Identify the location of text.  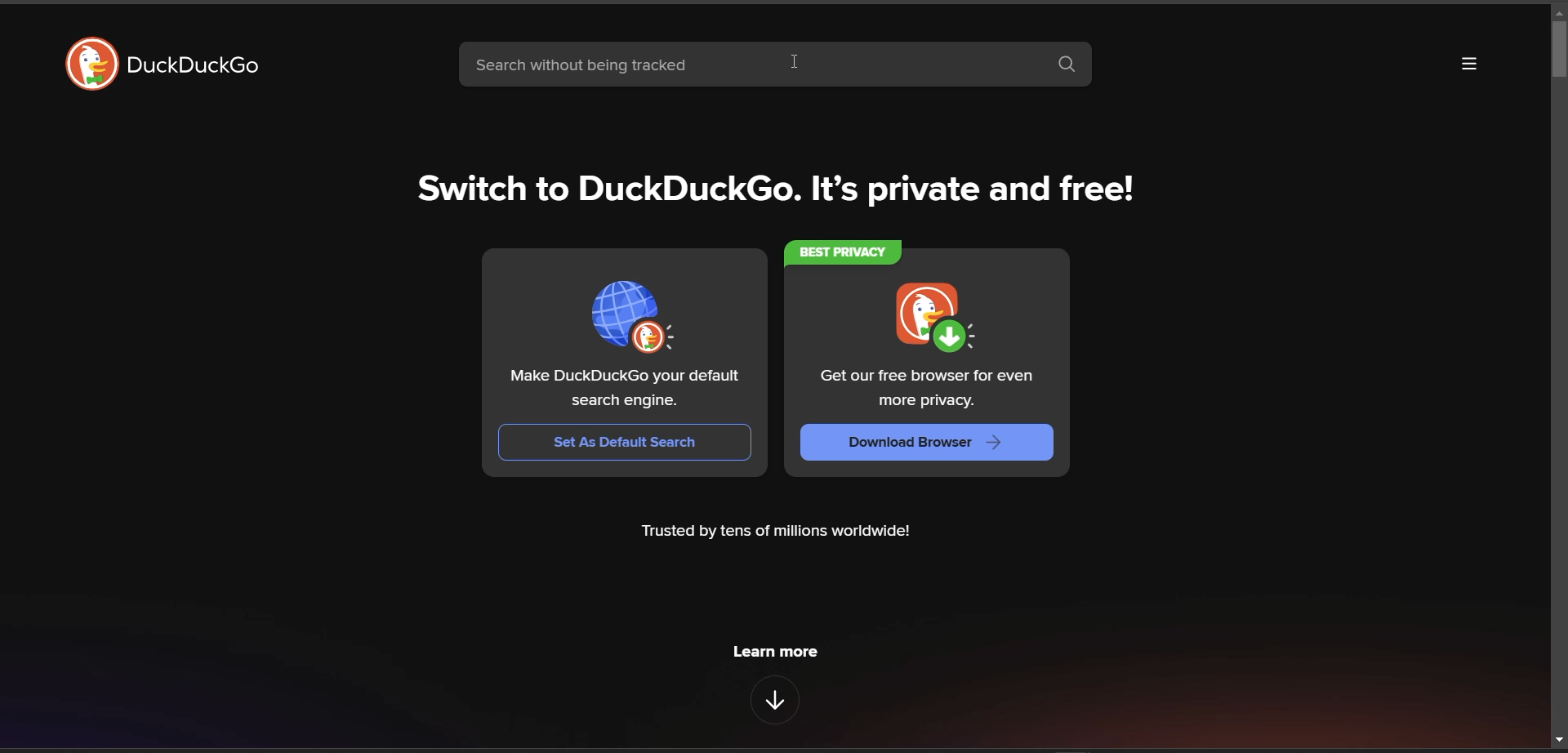
(623, 390).